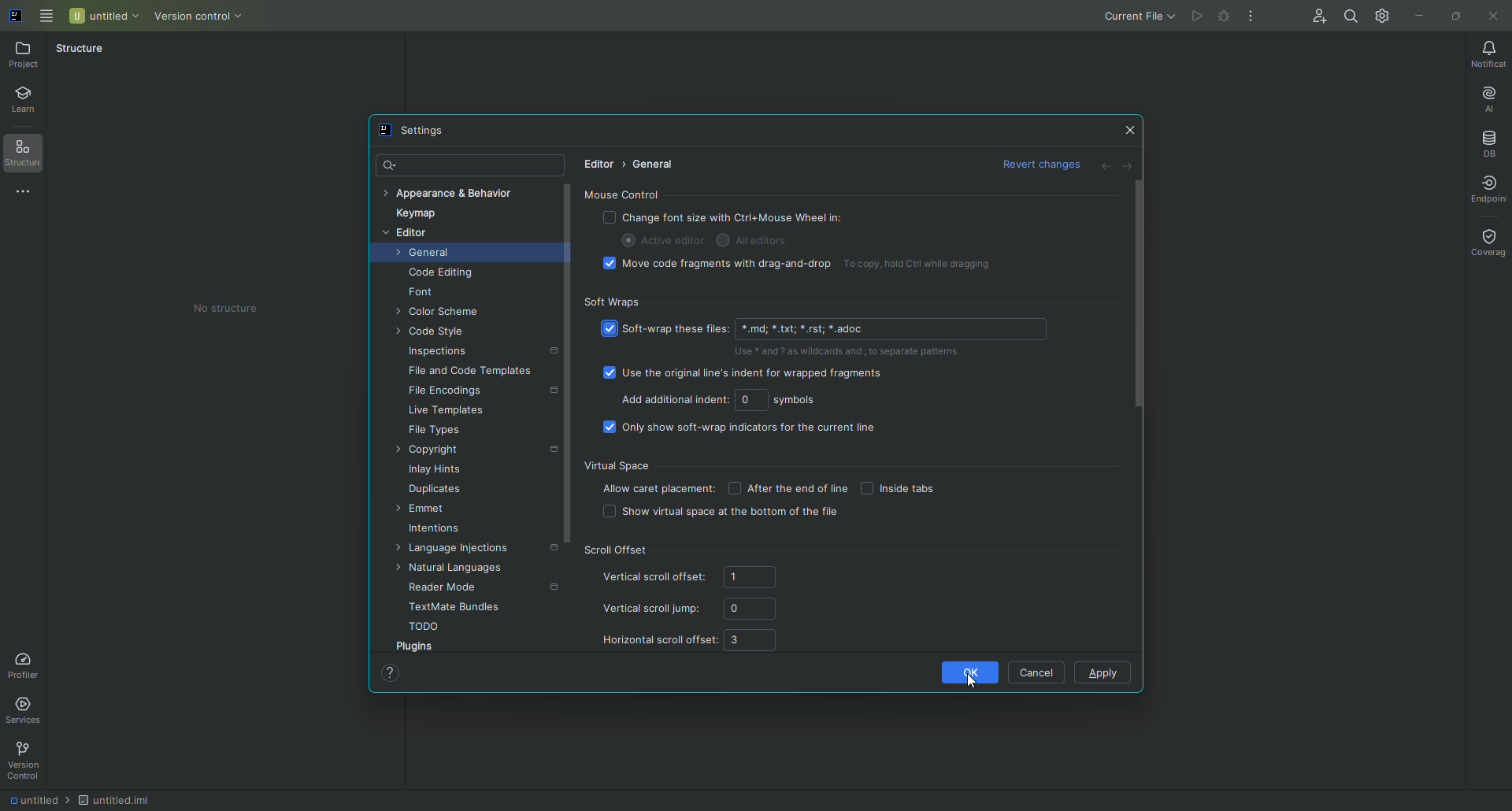  Describe the element at coordinates (1316, 17) in the screenshot. I see `Code With Me` at that location.